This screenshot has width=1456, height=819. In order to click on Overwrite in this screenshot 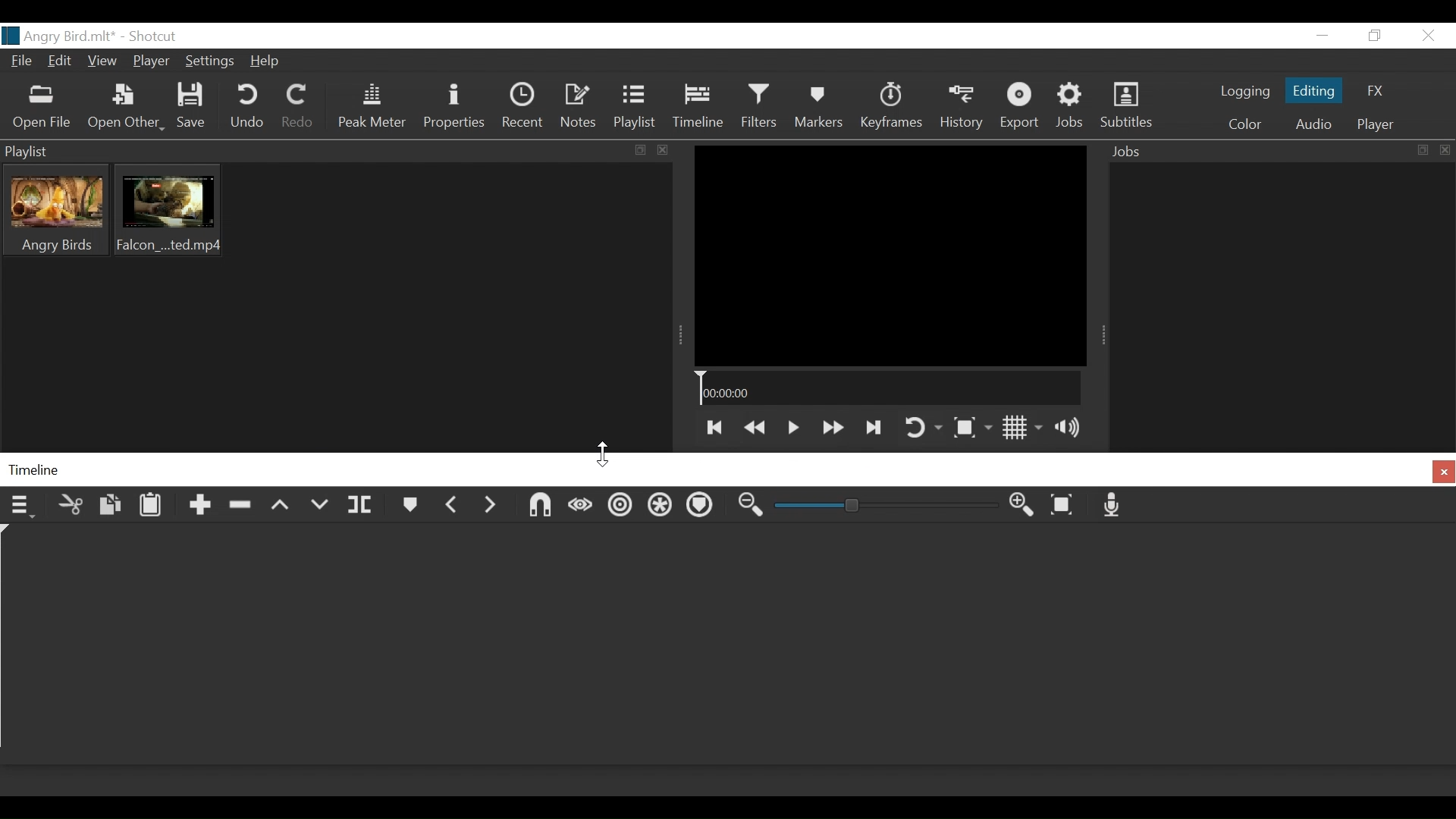, I will do `click(320, 507)`.